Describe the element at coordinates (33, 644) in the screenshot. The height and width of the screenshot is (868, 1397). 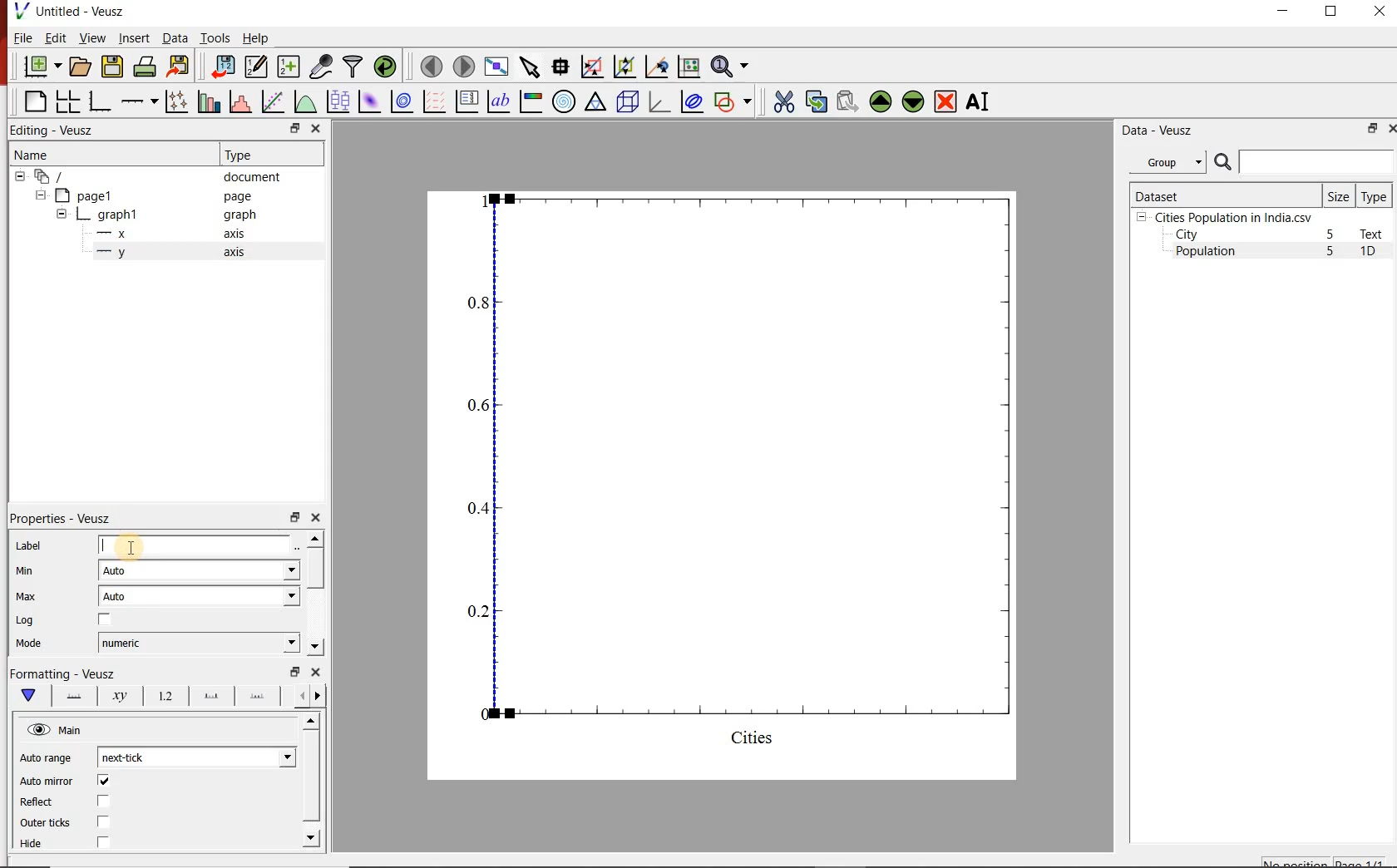
I see `Mode` at that location.